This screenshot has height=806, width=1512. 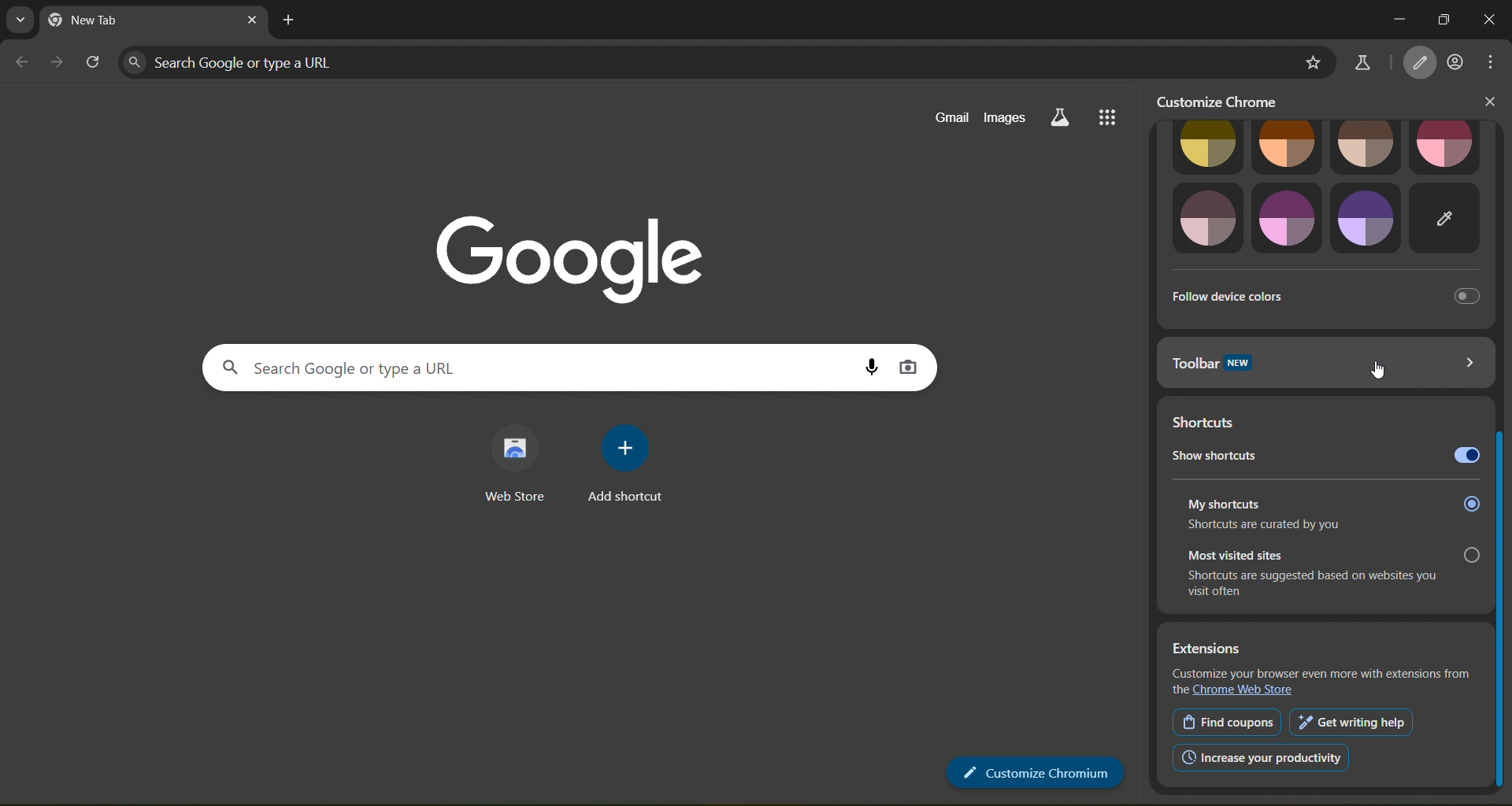 I want to click on slider, so click(x=1503, y=457).